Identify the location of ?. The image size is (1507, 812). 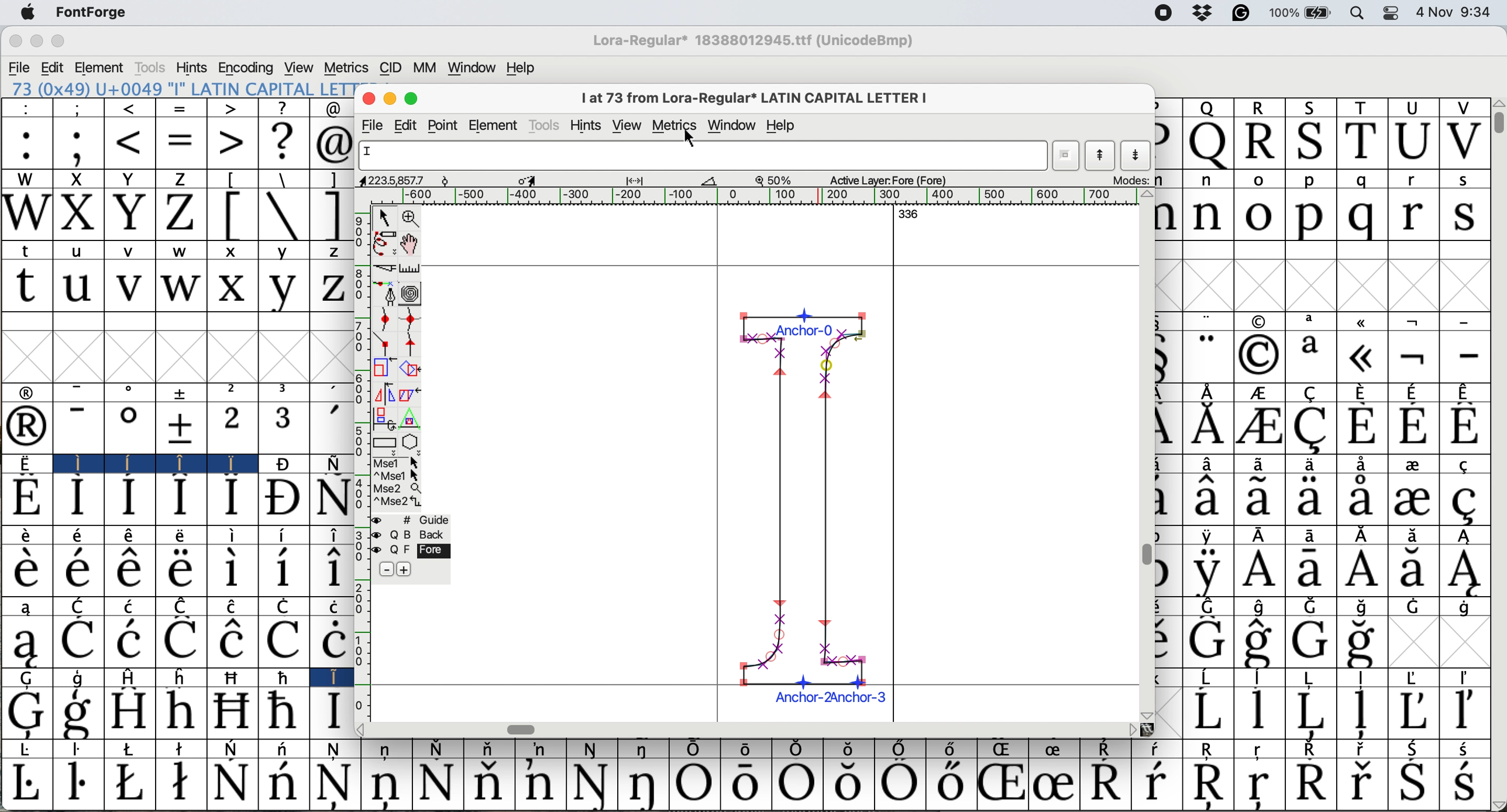
(283, 142).